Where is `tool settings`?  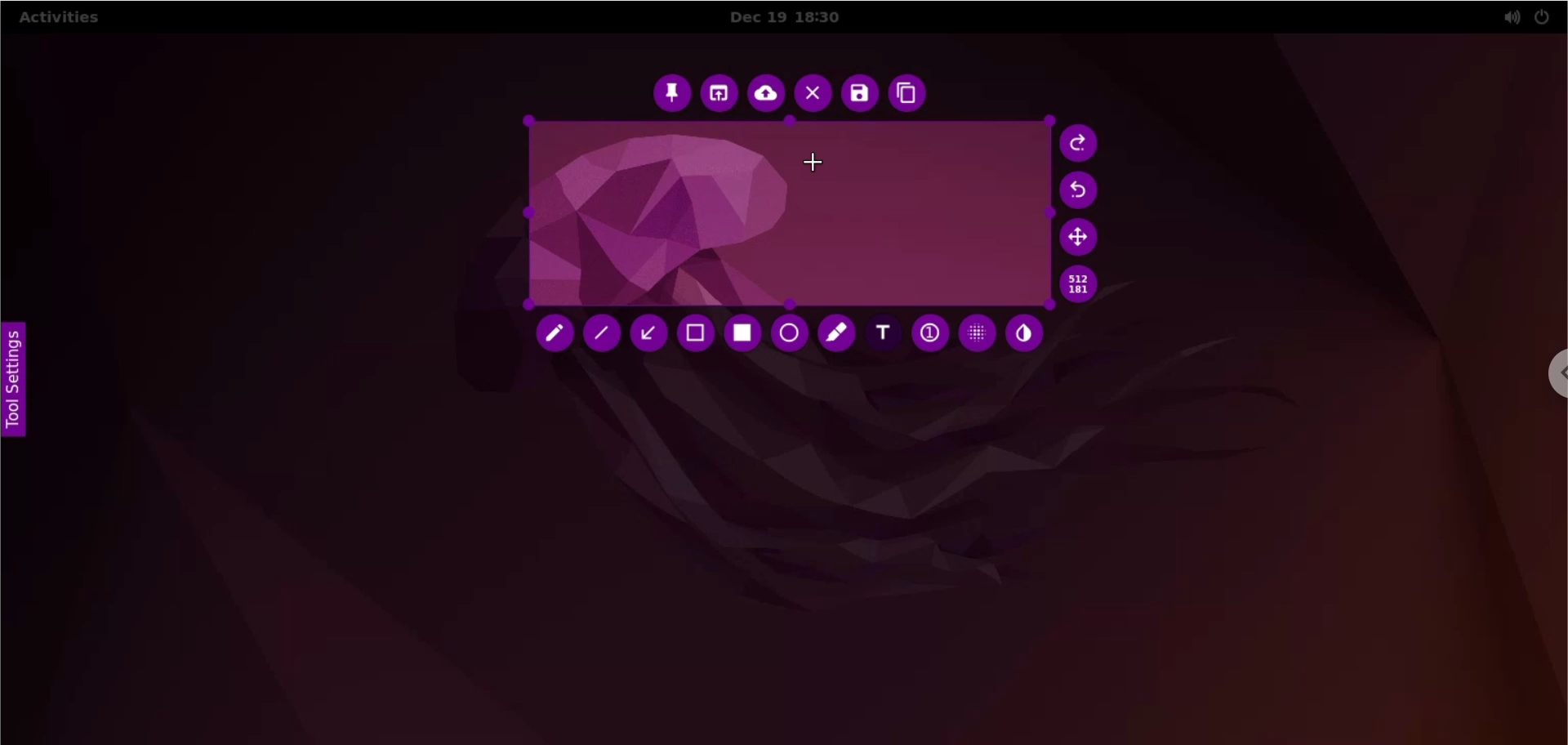
tool settings is located at coordinates (24, 384).